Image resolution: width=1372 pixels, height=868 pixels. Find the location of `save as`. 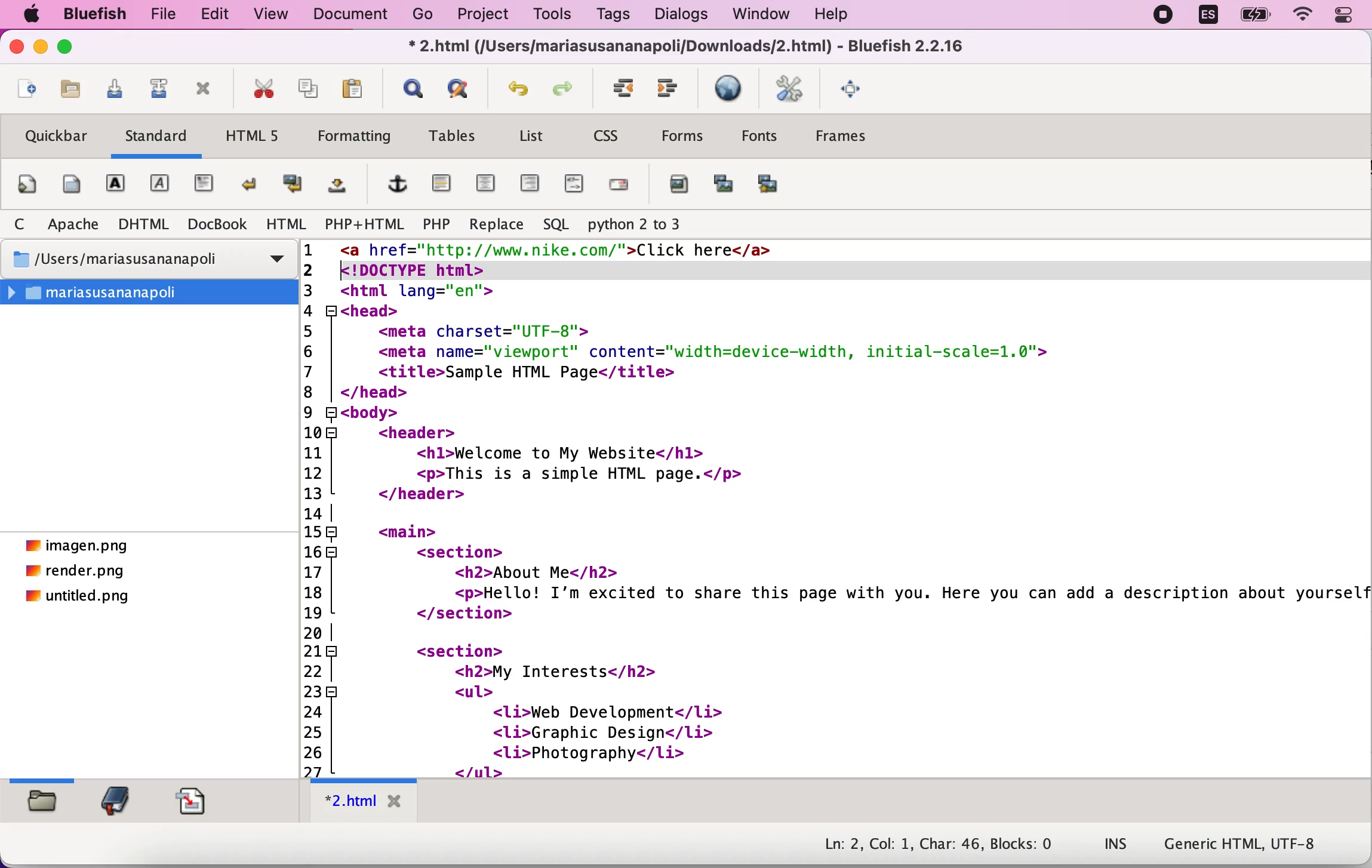

save as is located at coordinates (160, 87).